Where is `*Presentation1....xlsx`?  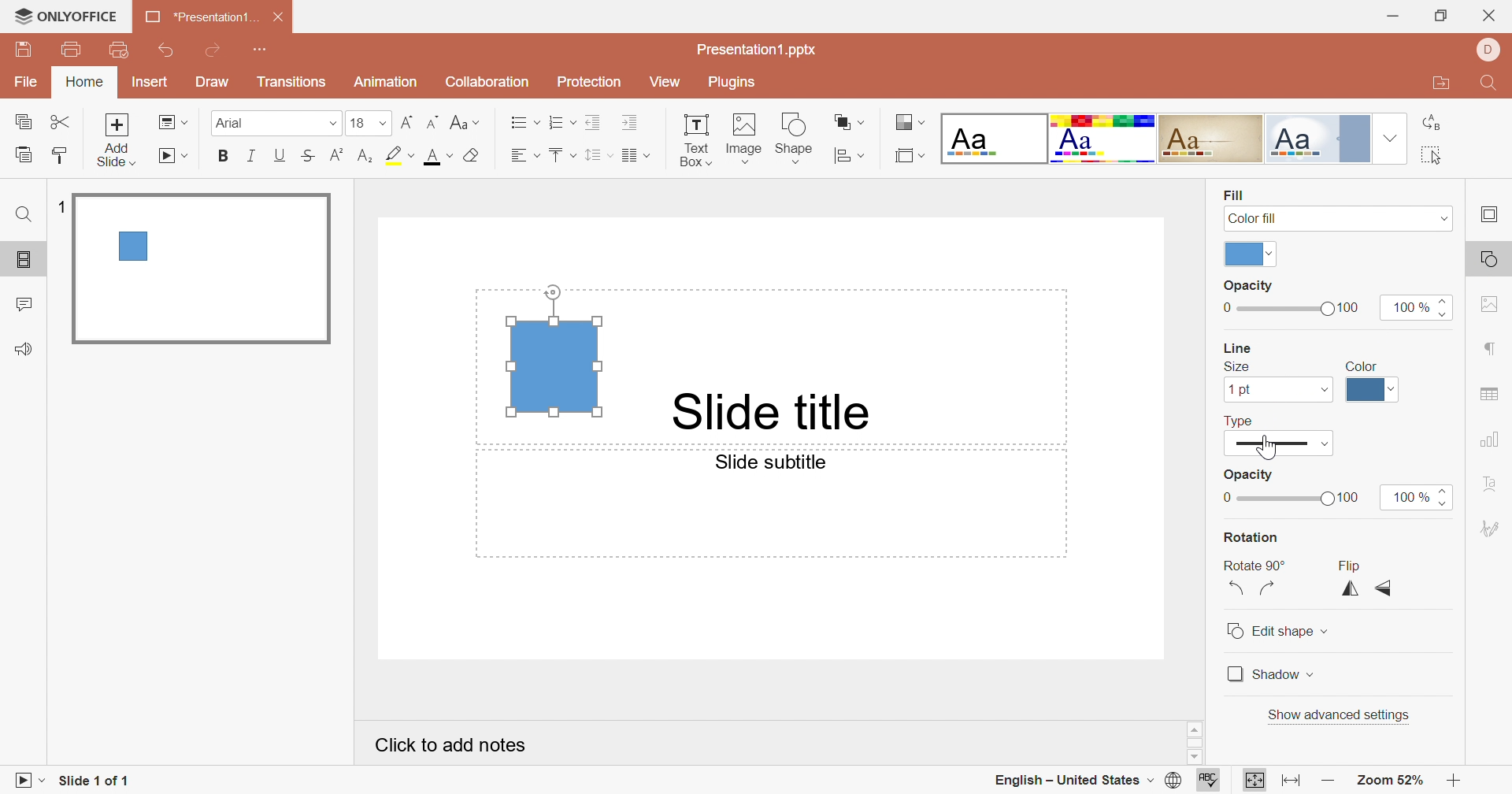 *Presentation1....xlsx is located at coordinates (199, 17).